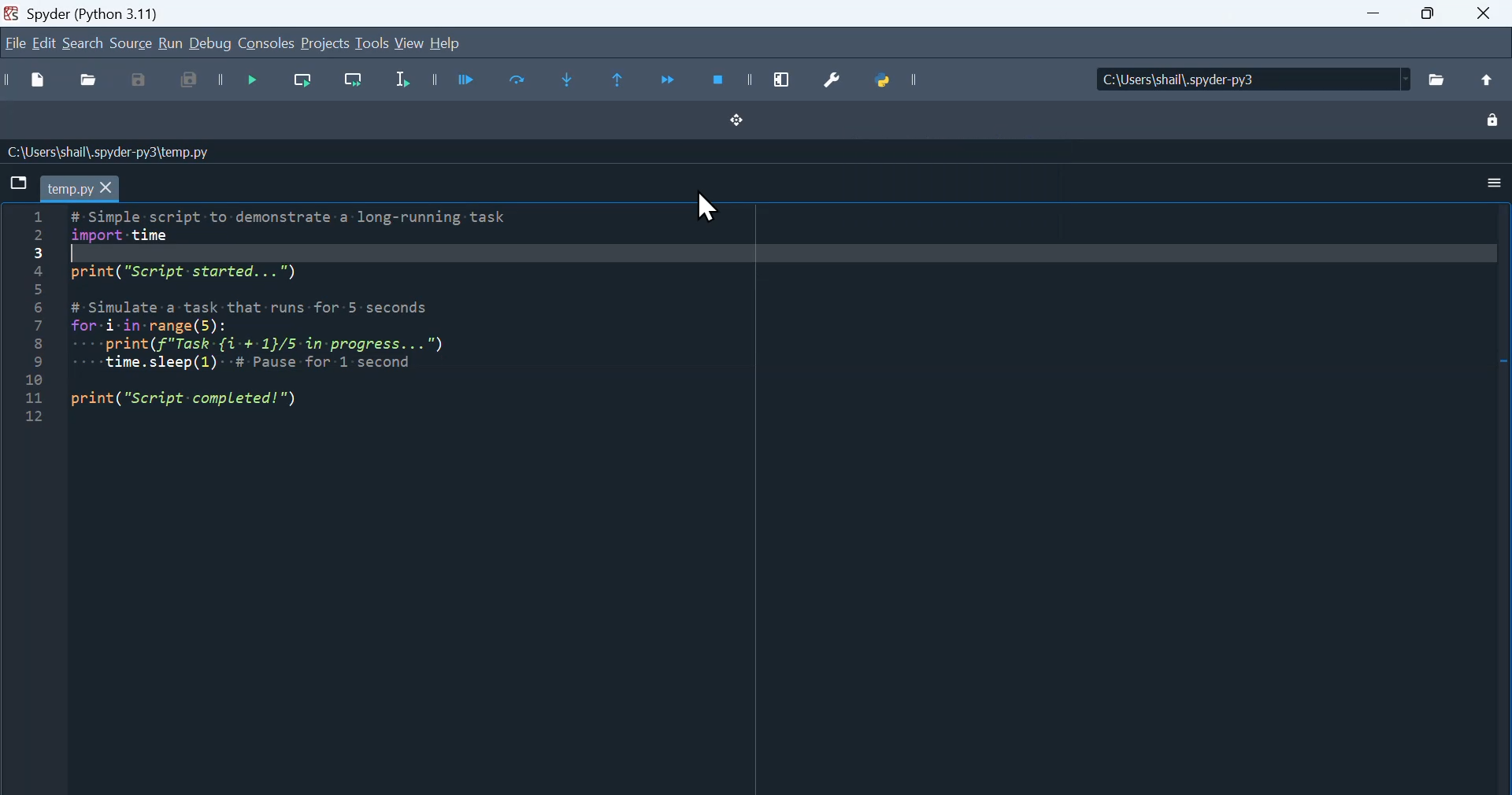 This screenshot has height=795, width=1512. Describe the element at coordinates (139, 84) in the screenshot. I see `Save as` at that location.